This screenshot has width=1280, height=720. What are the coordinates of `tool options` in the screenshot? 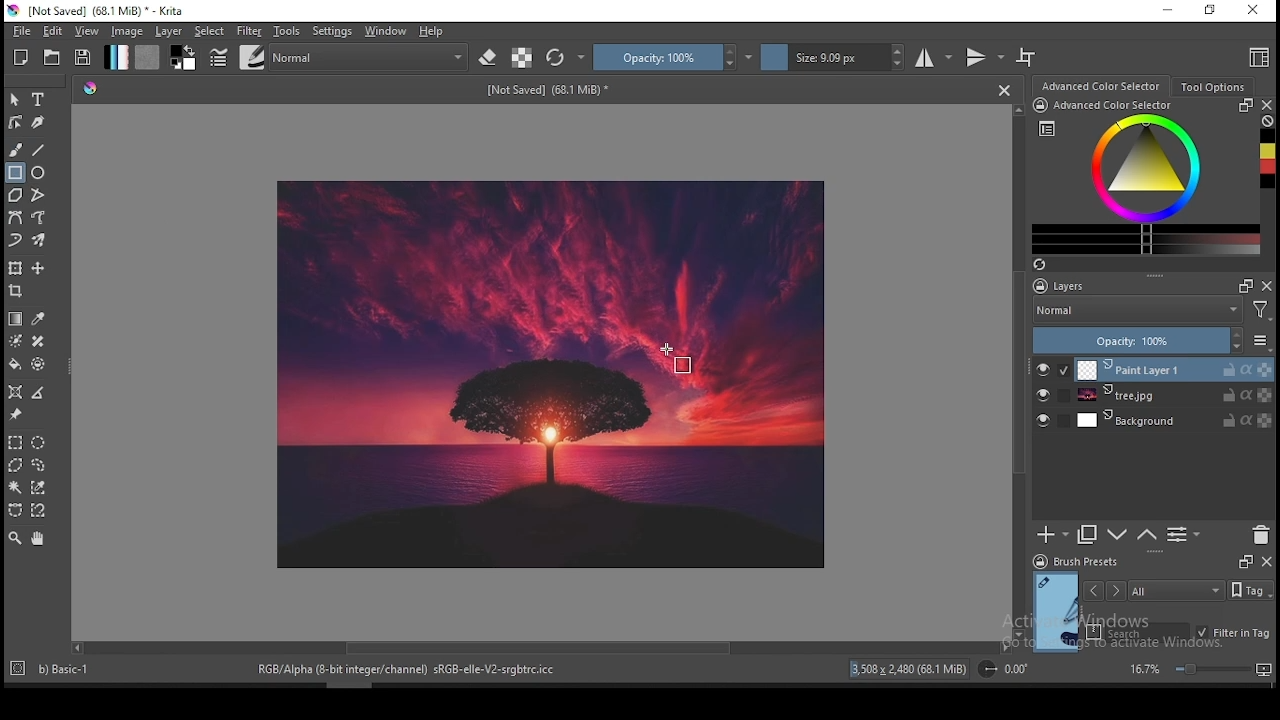 It's located at (1211, 86).